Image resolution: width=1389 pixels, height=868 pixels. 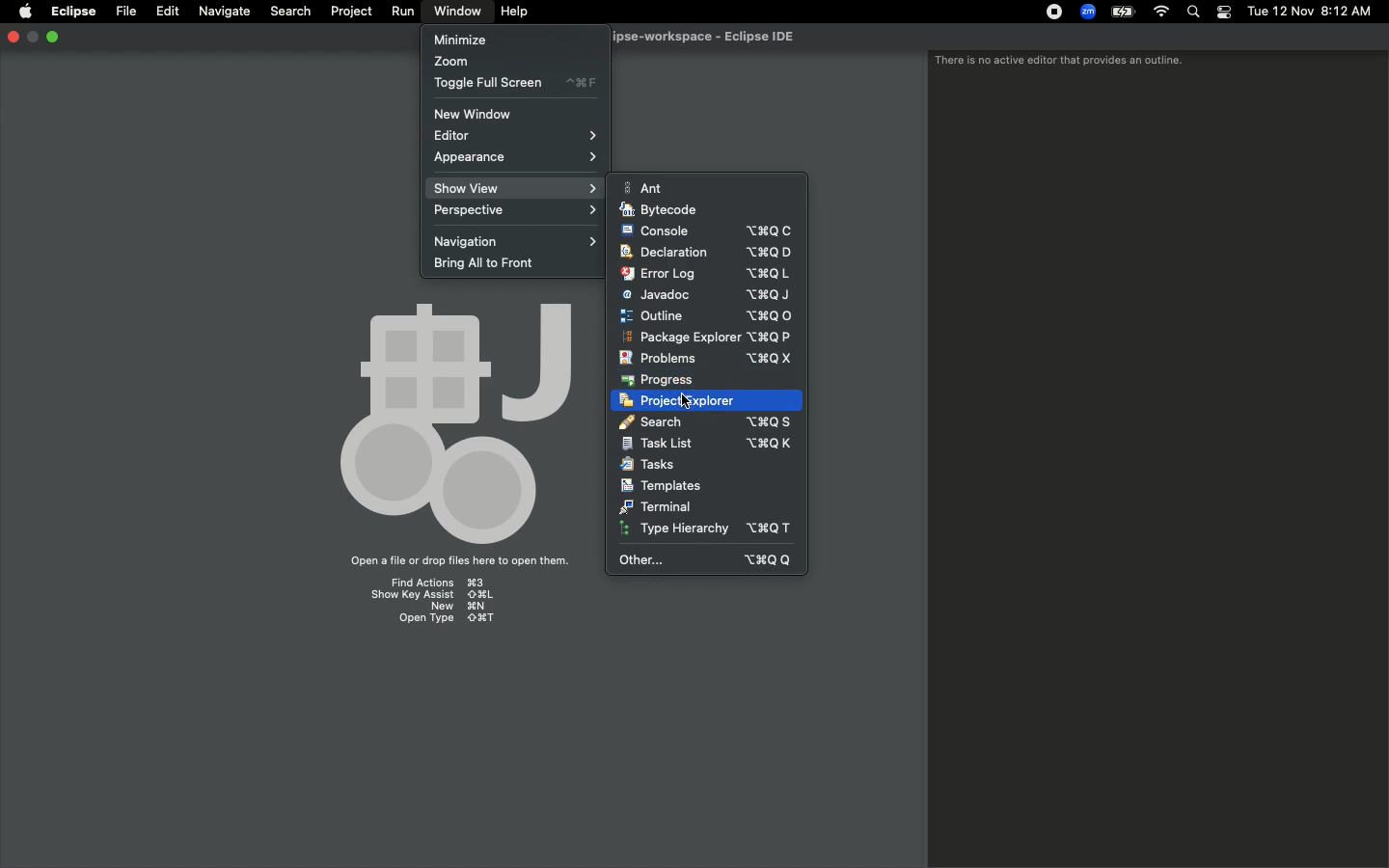 What do you see at coordinates (710, 402) in the screenshot?
I see `Click project explorer` at bounding box center [710, 402].